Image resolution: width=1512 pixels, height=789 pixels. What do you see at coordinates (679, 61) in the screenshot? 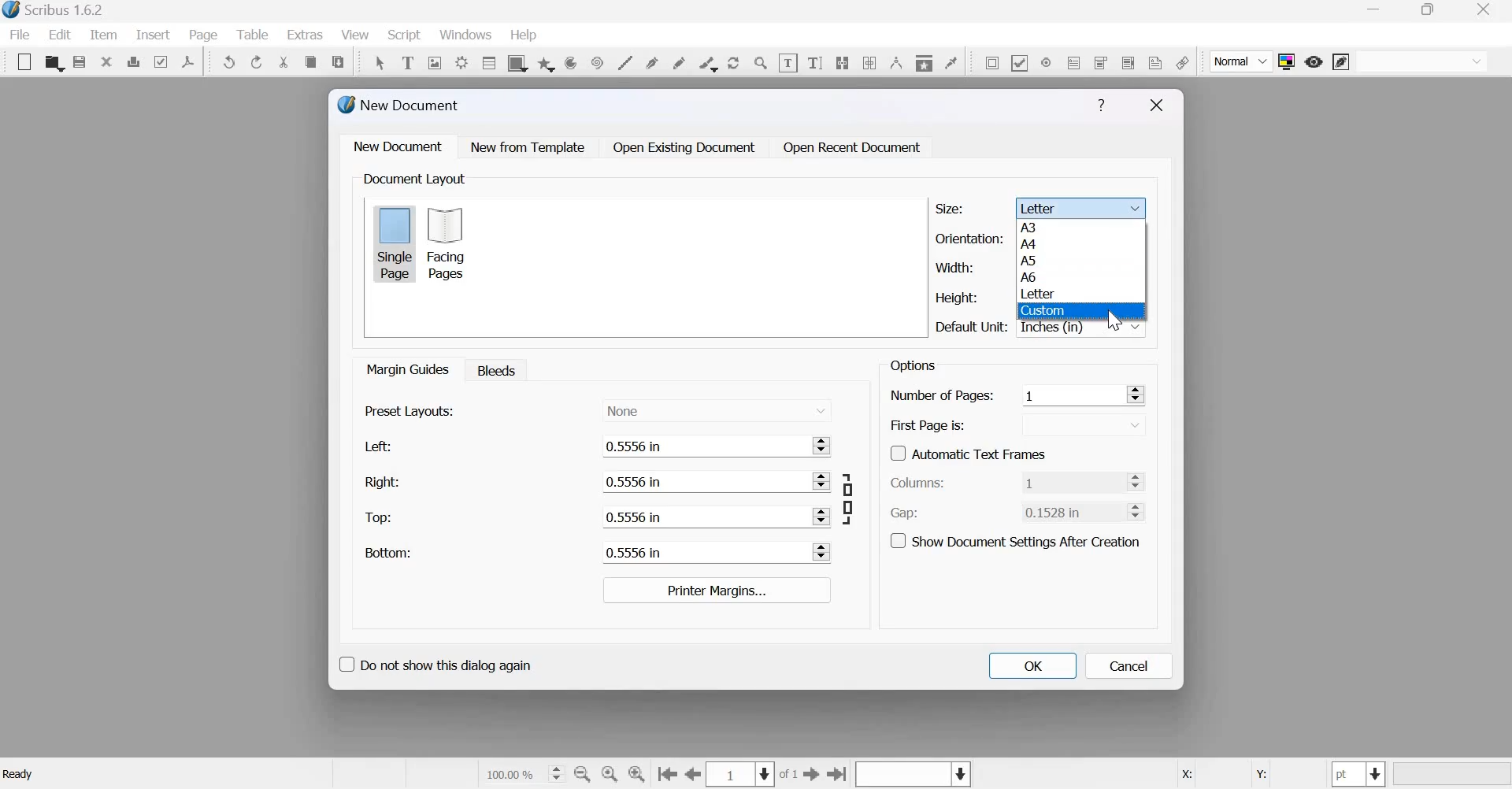
I see `freehand line` at bounding box center [679, 61].